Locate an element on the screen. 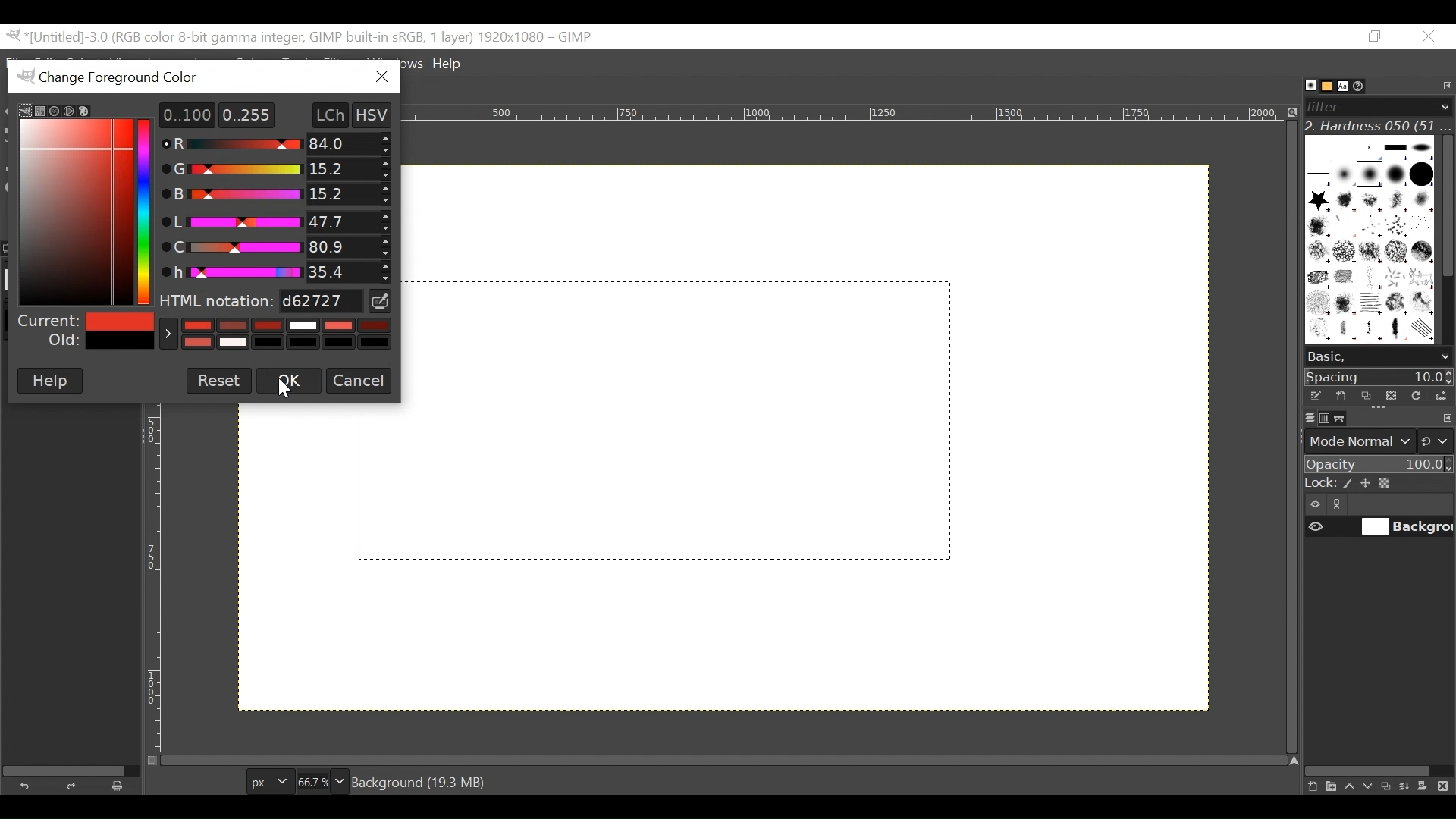 The width and height of the screenshot is (1456, 819). Configure tab is located at coordinates (1445, 86).